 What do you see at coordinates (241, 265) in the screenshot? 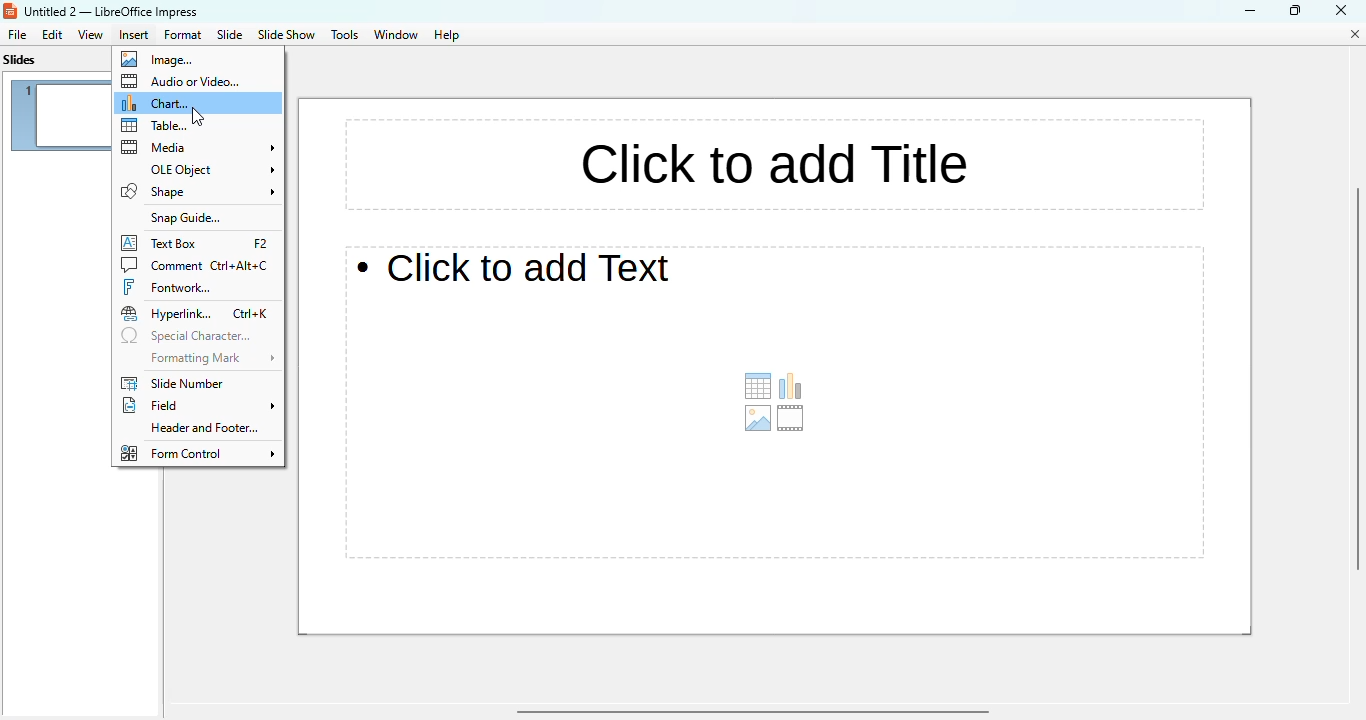
I see `shortcut for comment` at bounding box center [241, 265].